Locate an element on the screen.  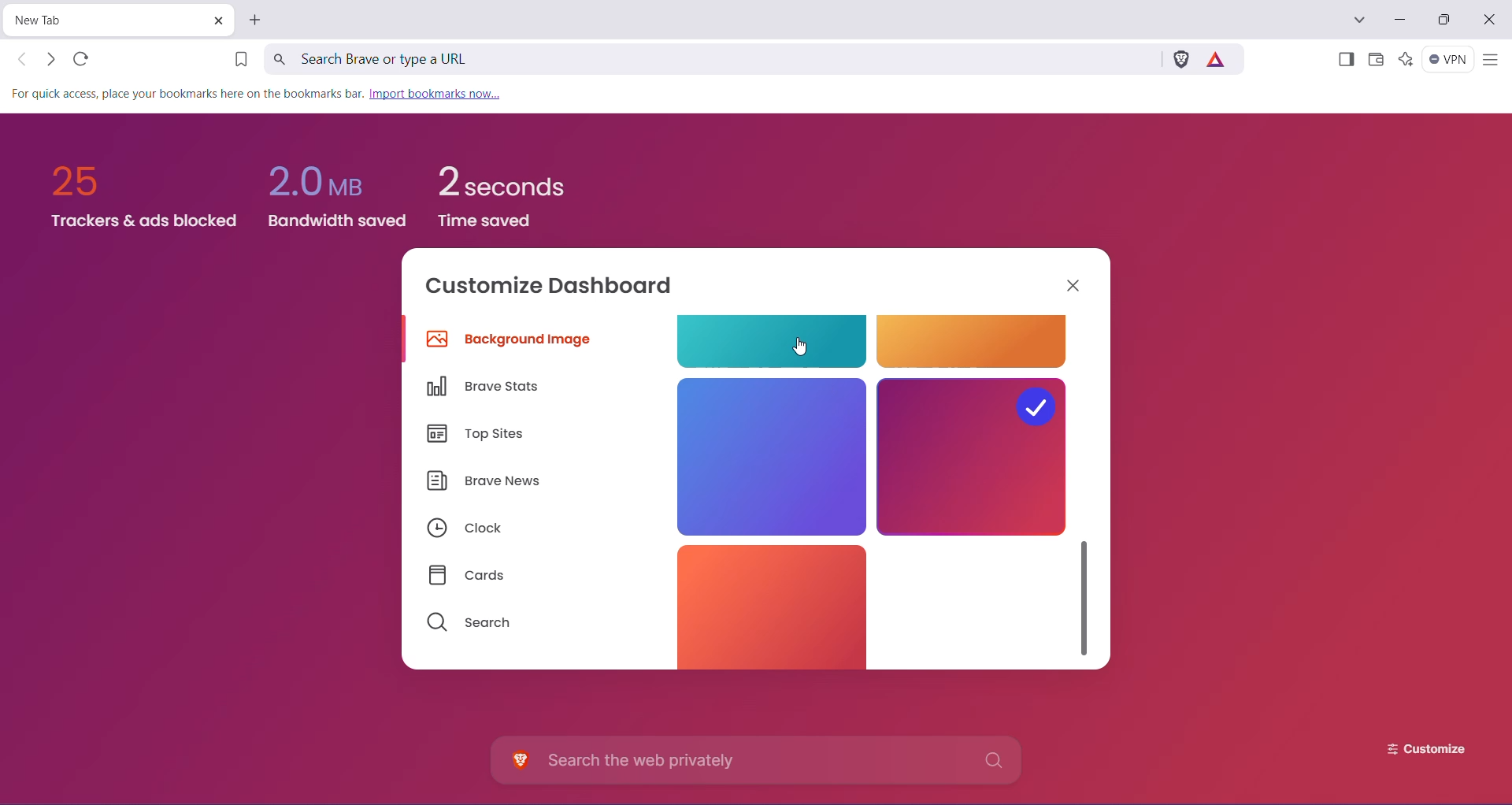
Close is located at coordinates (1491, 20).